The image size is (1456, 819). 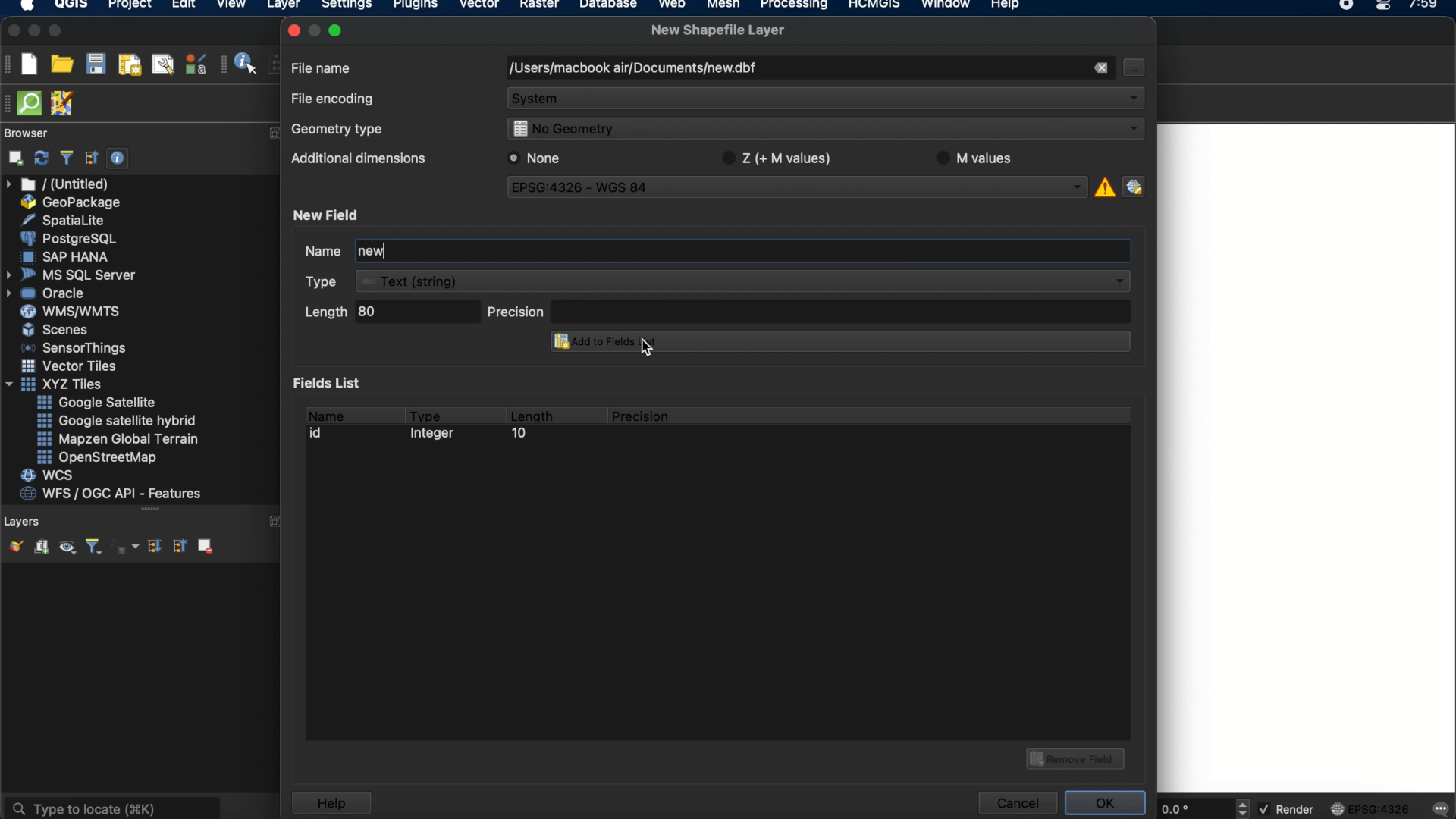 What do you see at coordinates (152, 547) in the screenshot?
I see `expand all` at bounding box center [152, 547].